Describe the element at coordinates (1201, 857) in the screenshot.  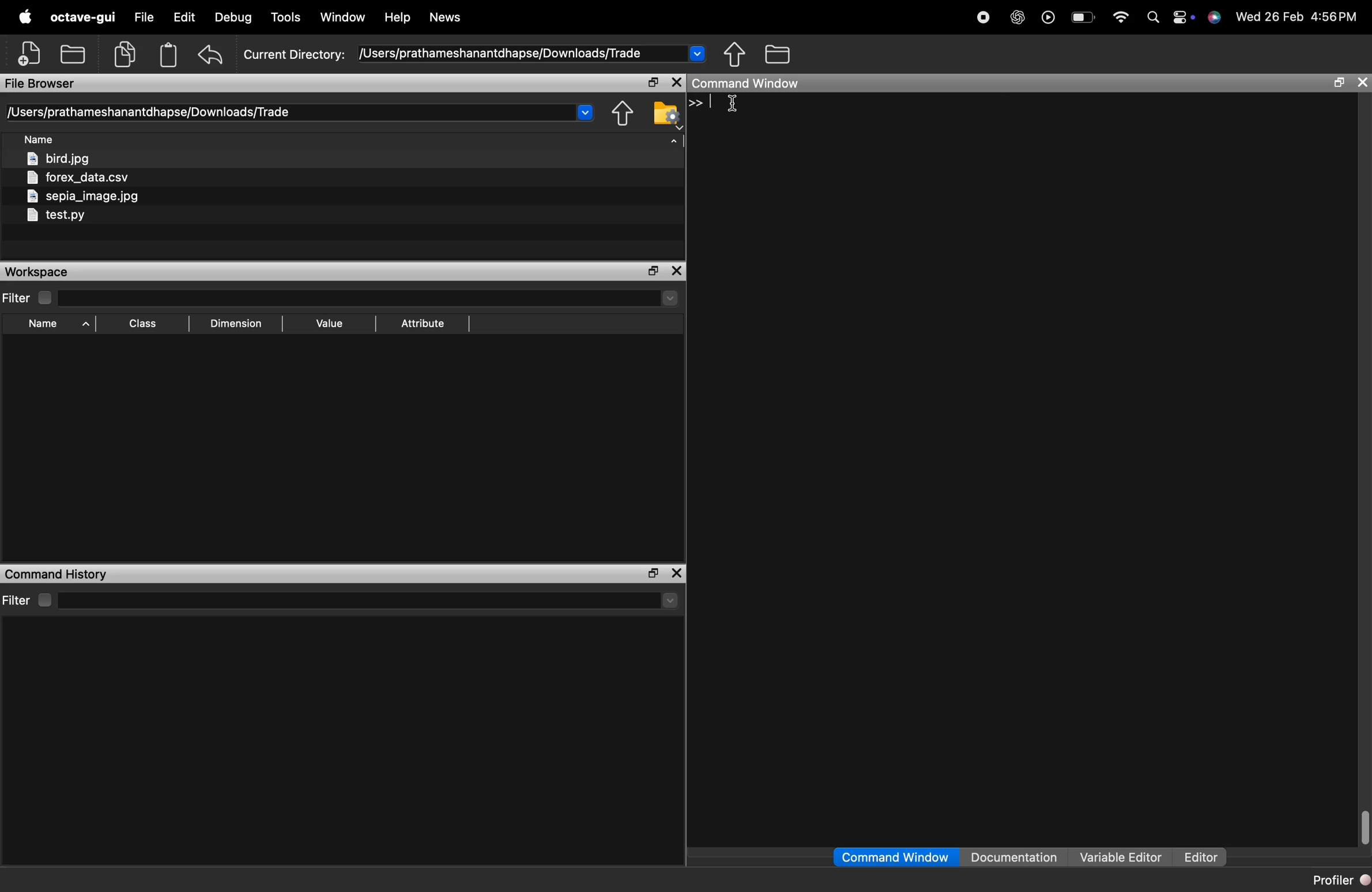
I see `Editor` at that location.